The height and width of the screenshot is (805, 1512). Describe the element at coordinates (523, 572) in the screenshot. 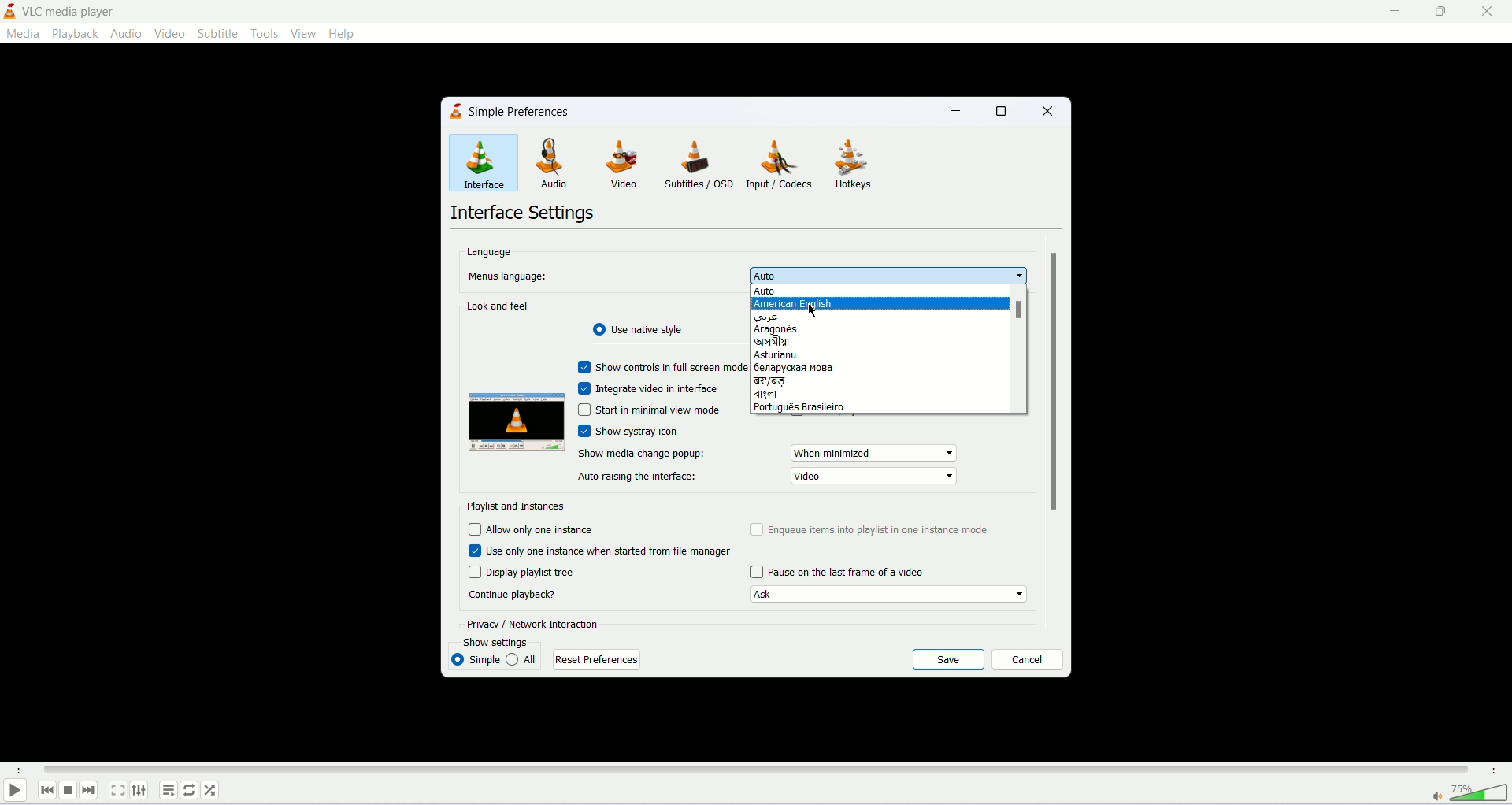

I see `display playlist tree` at that location.